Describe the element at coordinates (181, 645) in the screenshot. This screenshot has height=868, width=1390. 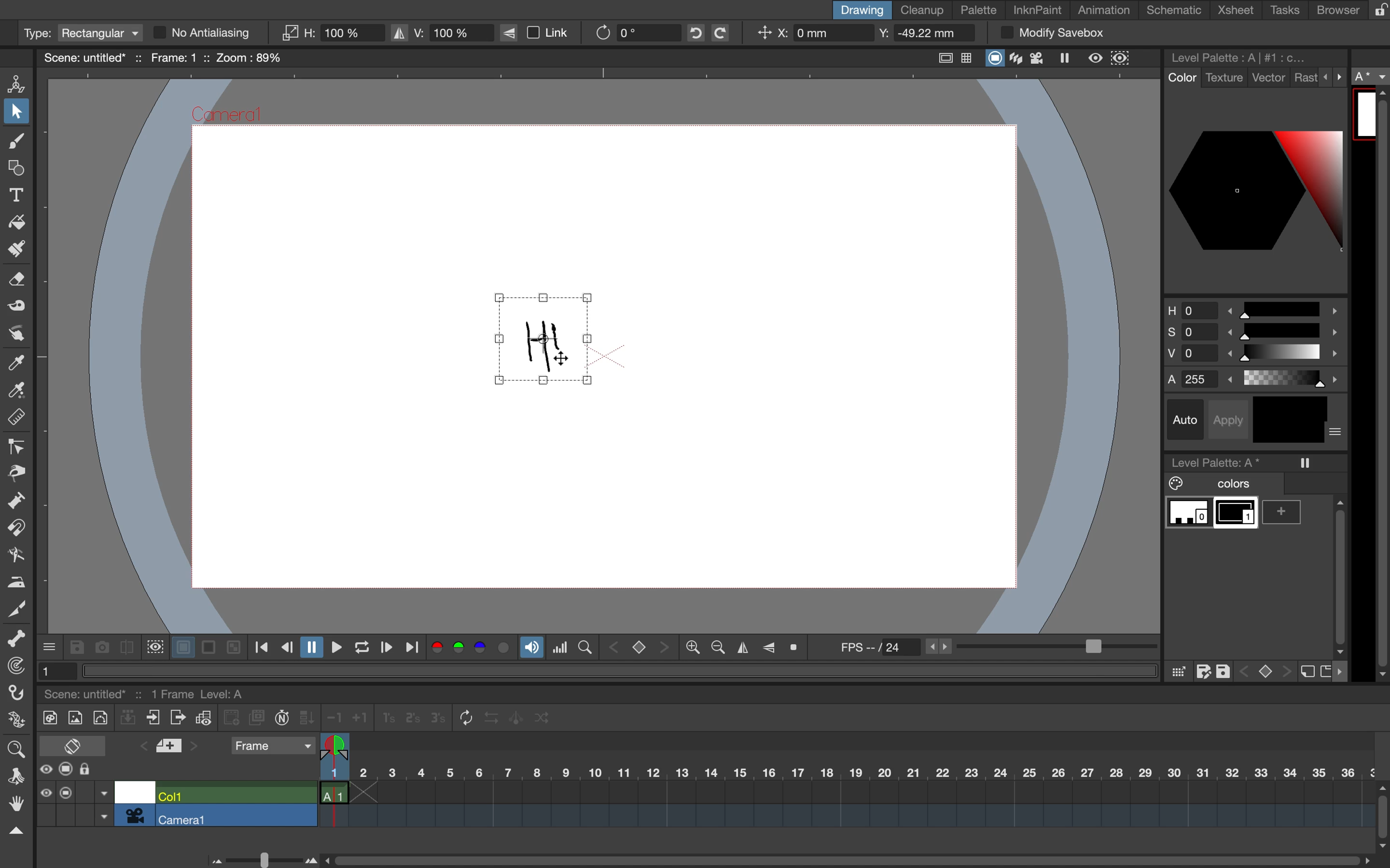
I see `white background` at that location.